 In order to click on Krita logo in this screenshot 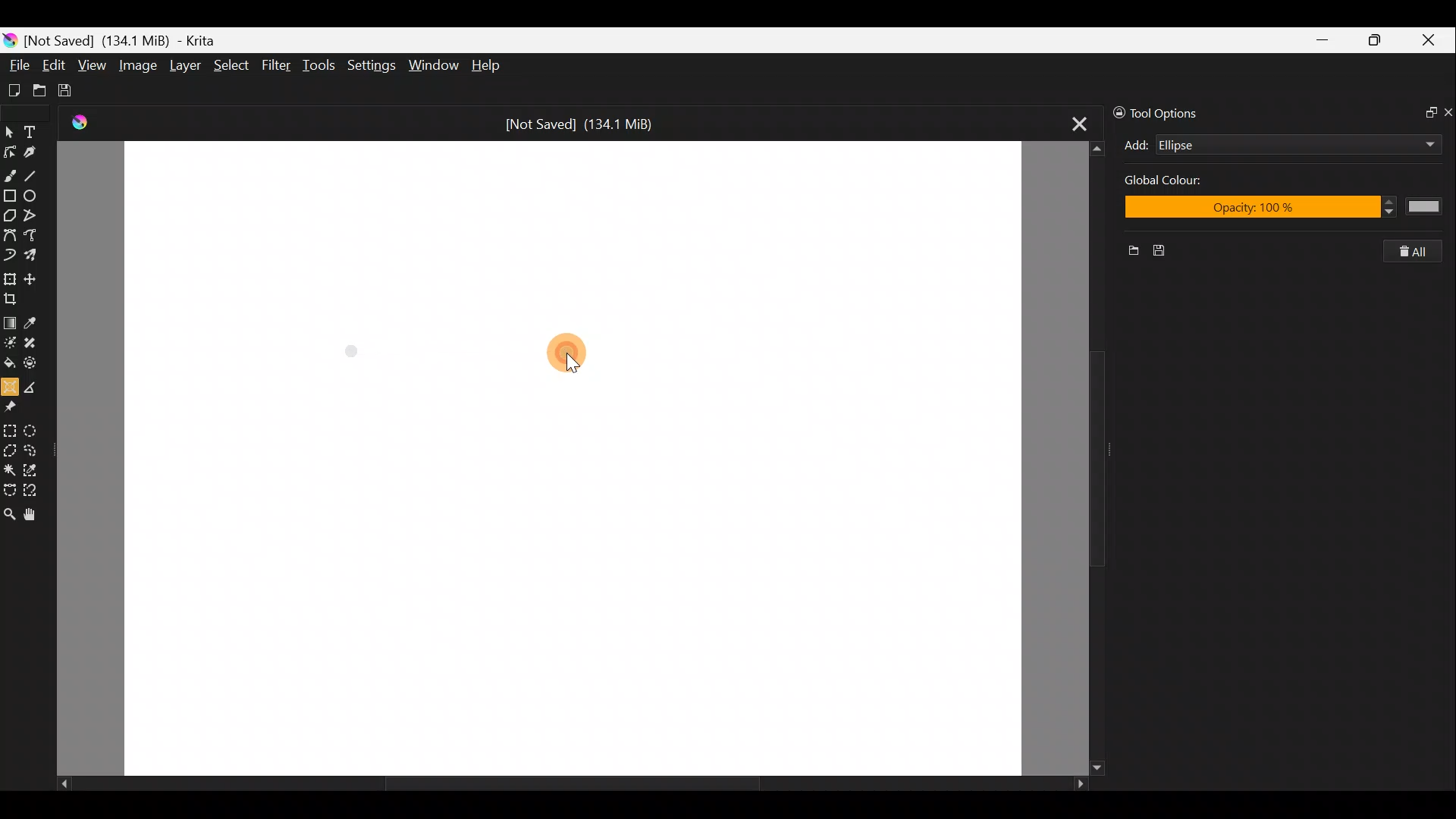, I will do `click(9, 39)`.